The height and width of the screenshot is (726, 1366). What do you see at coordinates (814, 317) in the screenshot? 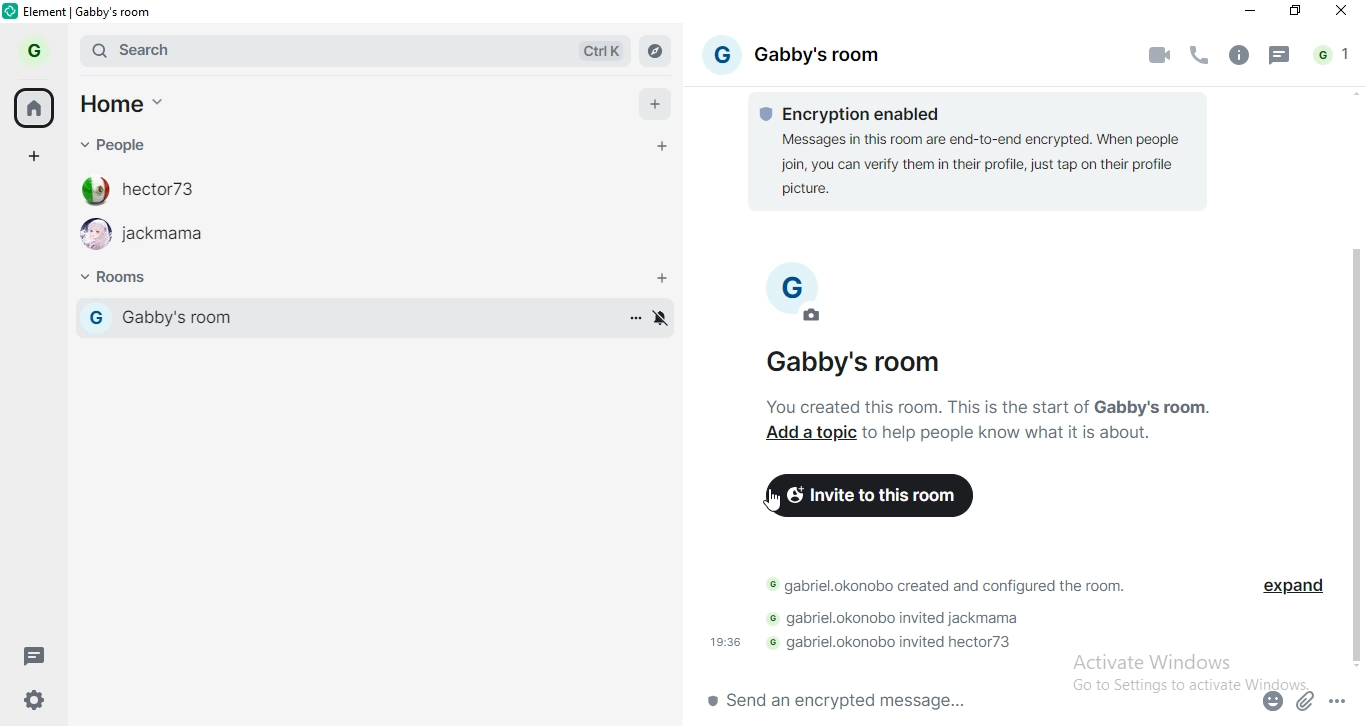
I see `edit` at bounding box center [814, 317].